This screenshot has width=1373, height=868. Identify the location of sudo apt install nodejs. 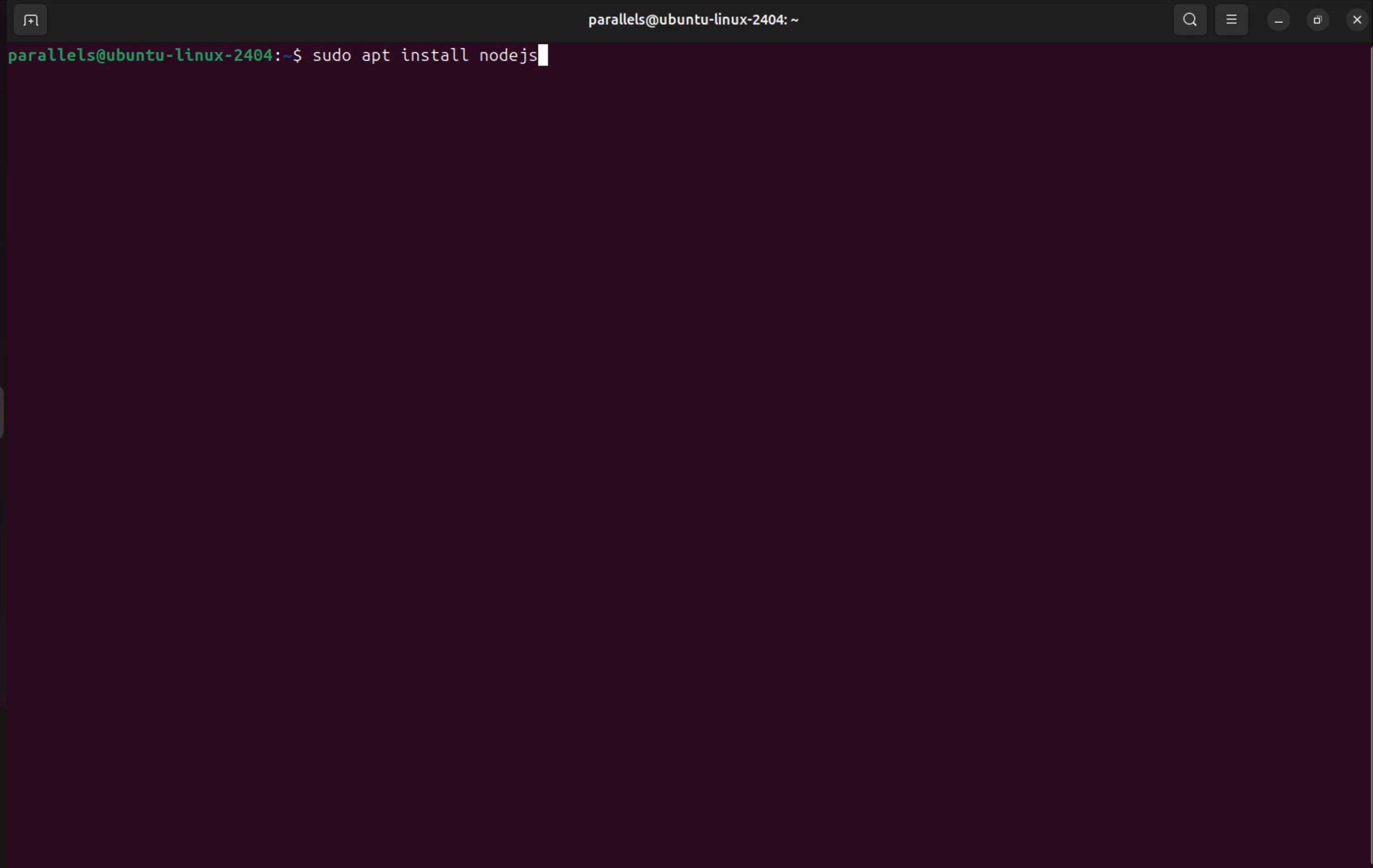
(434, 54).